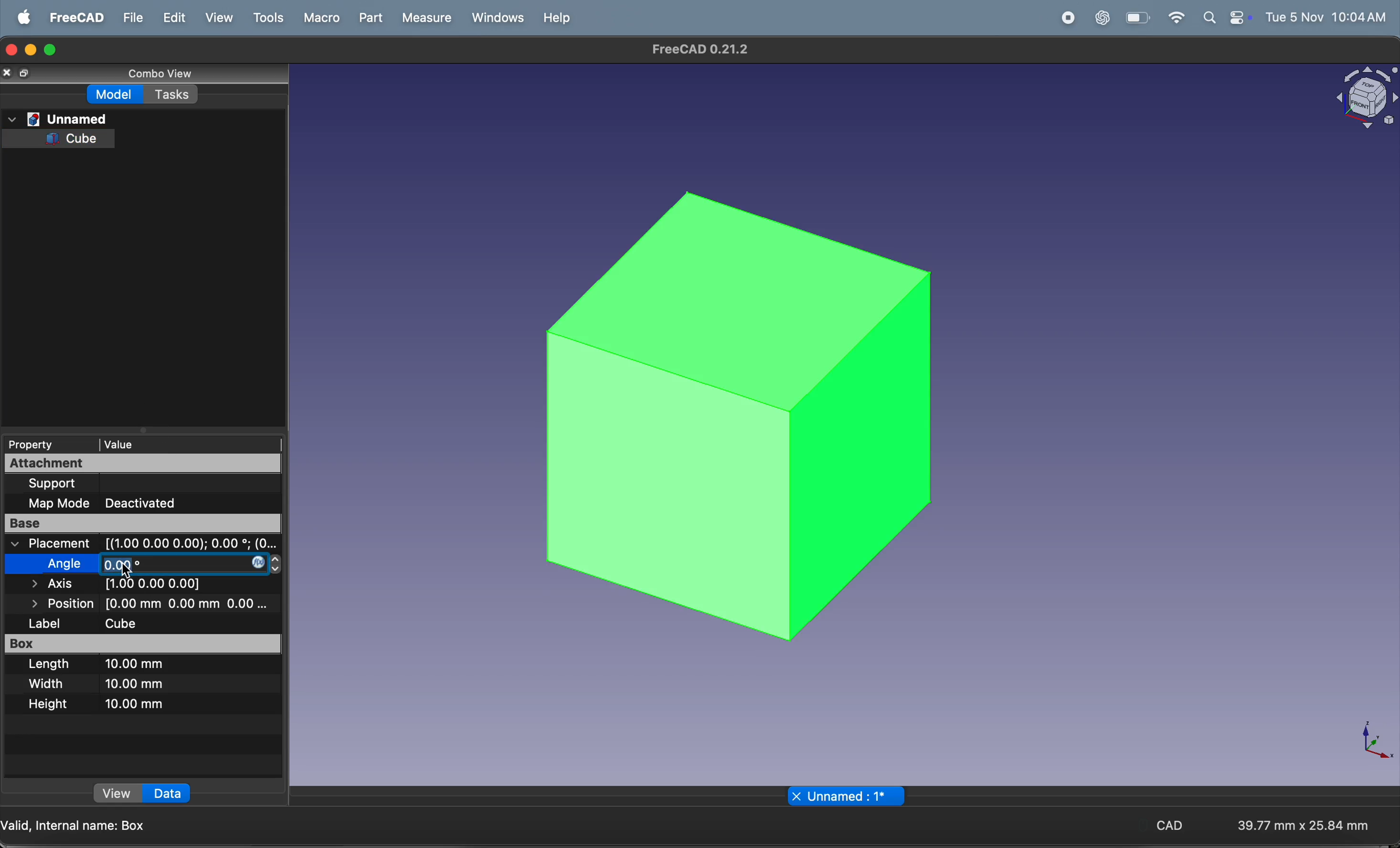 The height and width of the screenshot is (848, 1400). What do you see at coordinates (263, 18) in the screenshot?
I see `tools` at bounding box center [263, 18].